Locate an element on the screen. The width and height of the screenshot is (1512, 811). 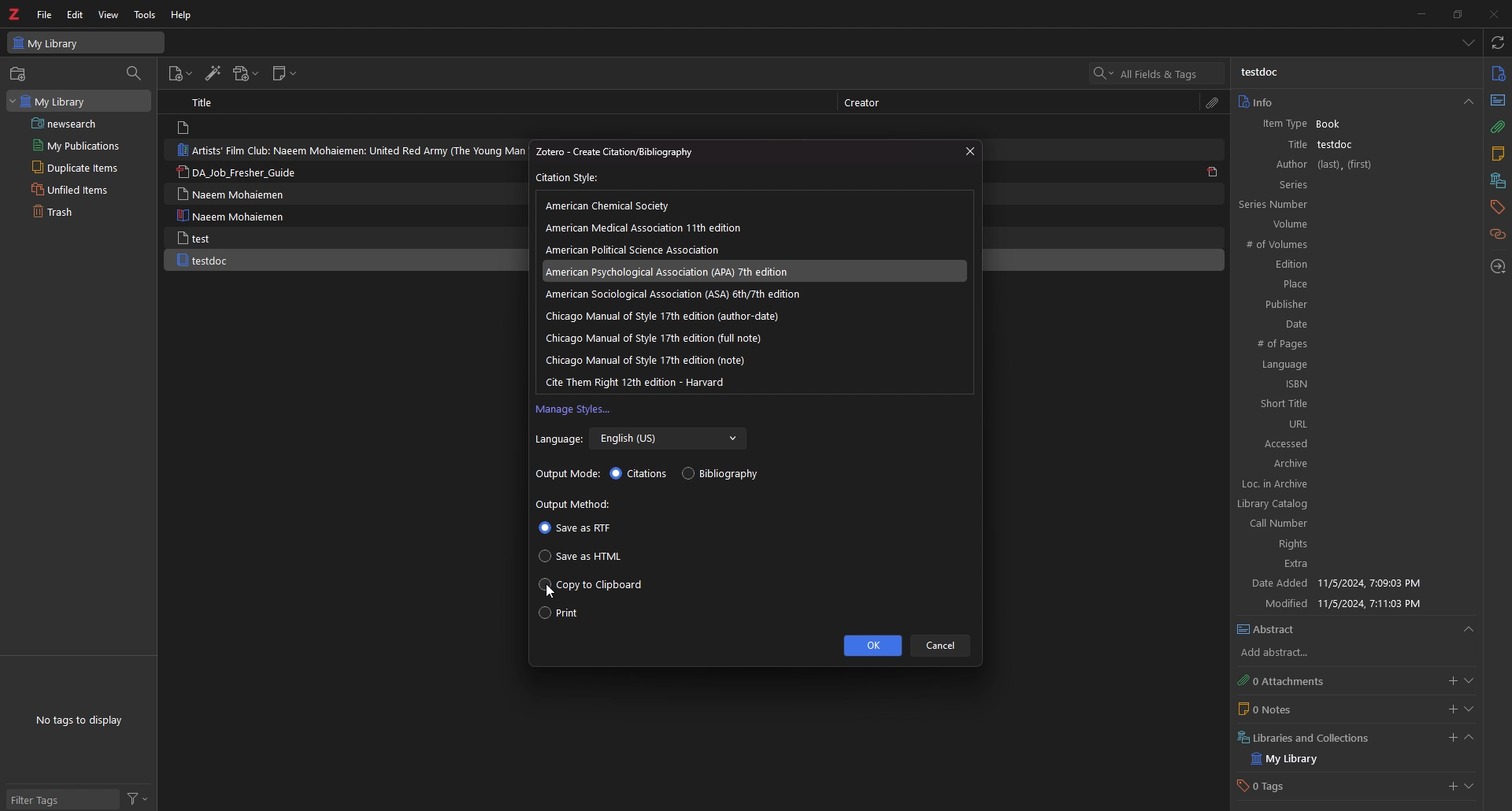
item Type is located at coordinates (1279, 125).